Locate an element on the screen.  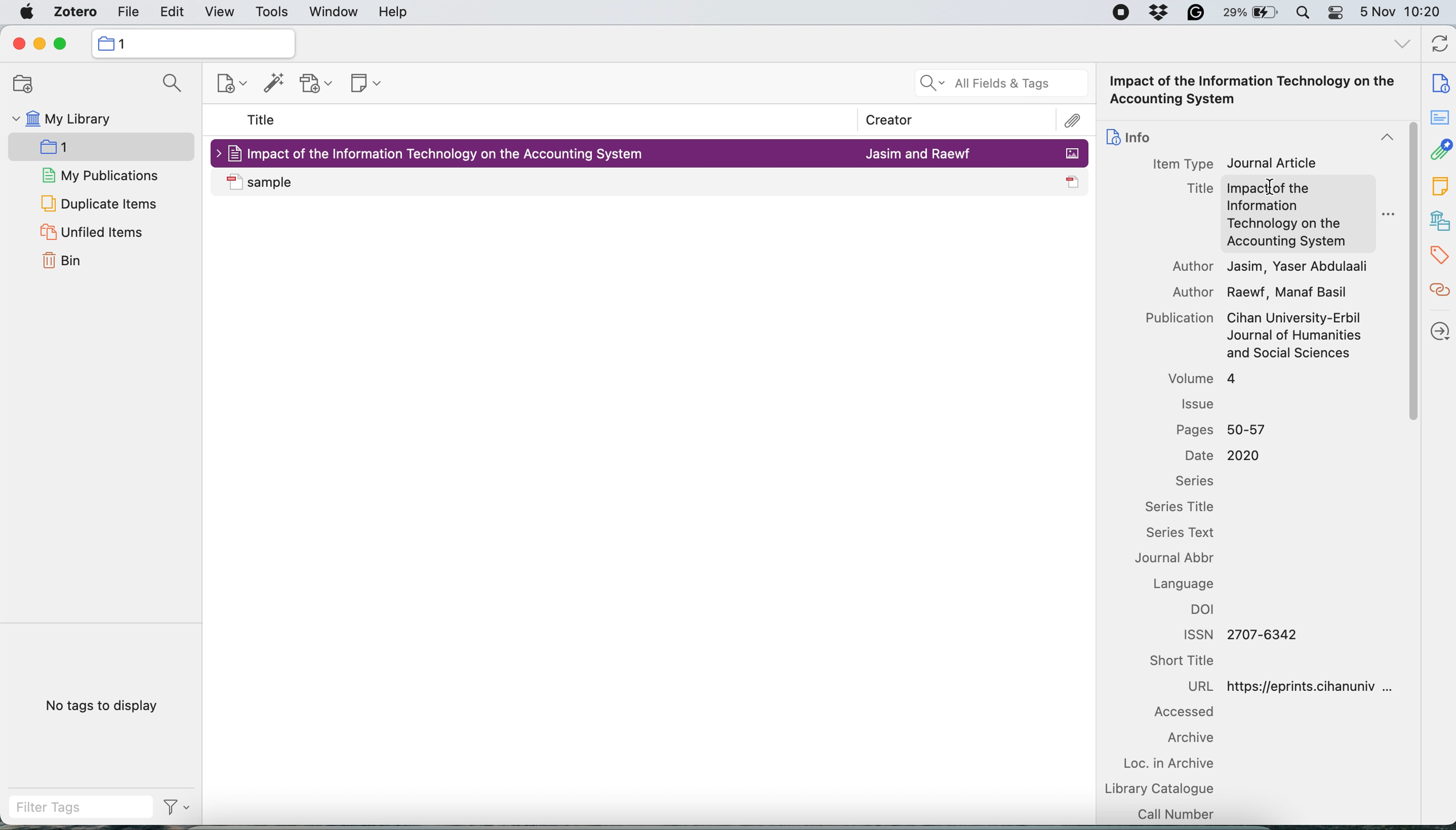
new note is located at coordinates (364, 84).